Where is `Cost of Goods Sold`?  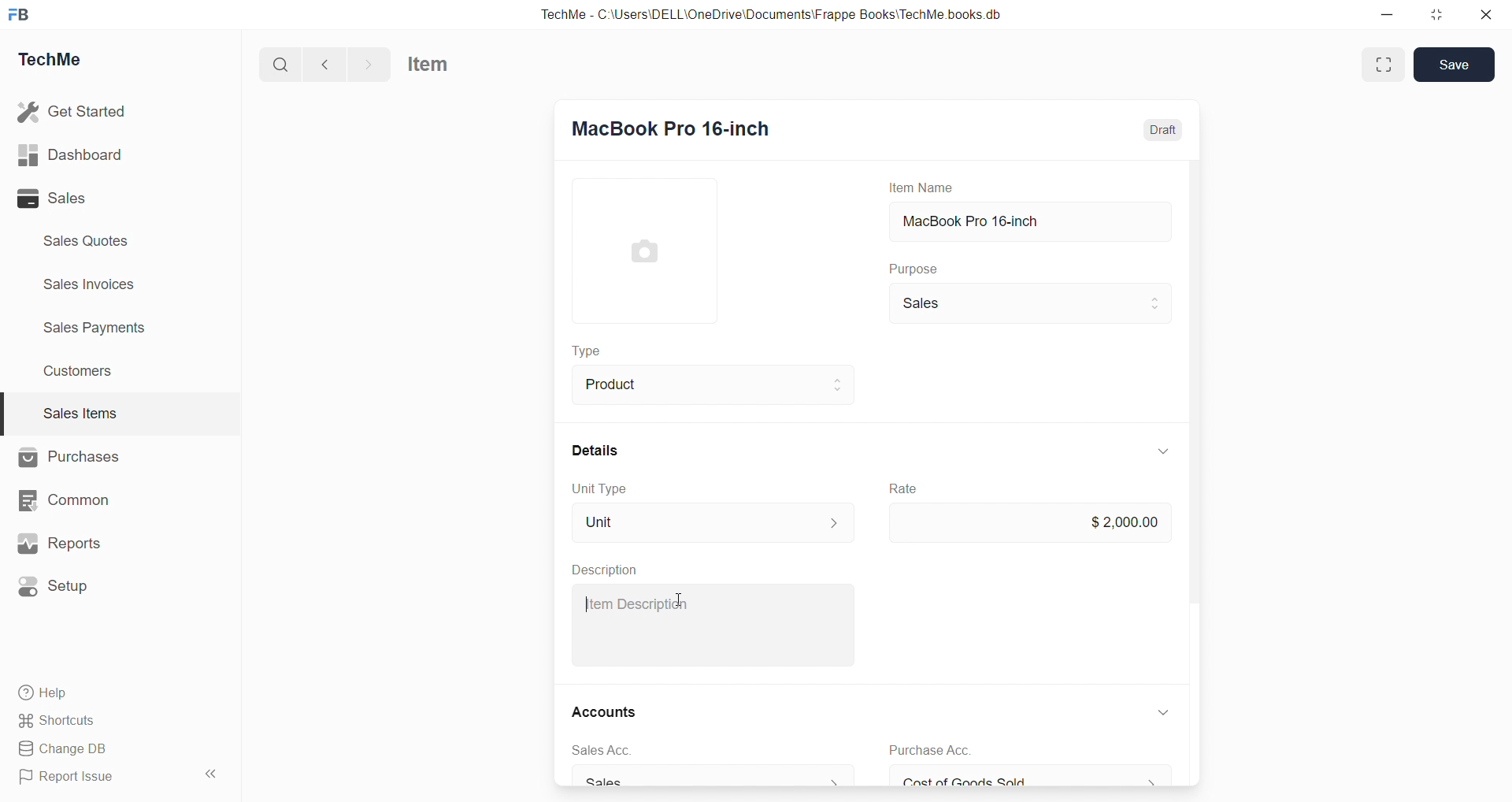 Cost of Goods Sold is located at coordinates (1033, 778).